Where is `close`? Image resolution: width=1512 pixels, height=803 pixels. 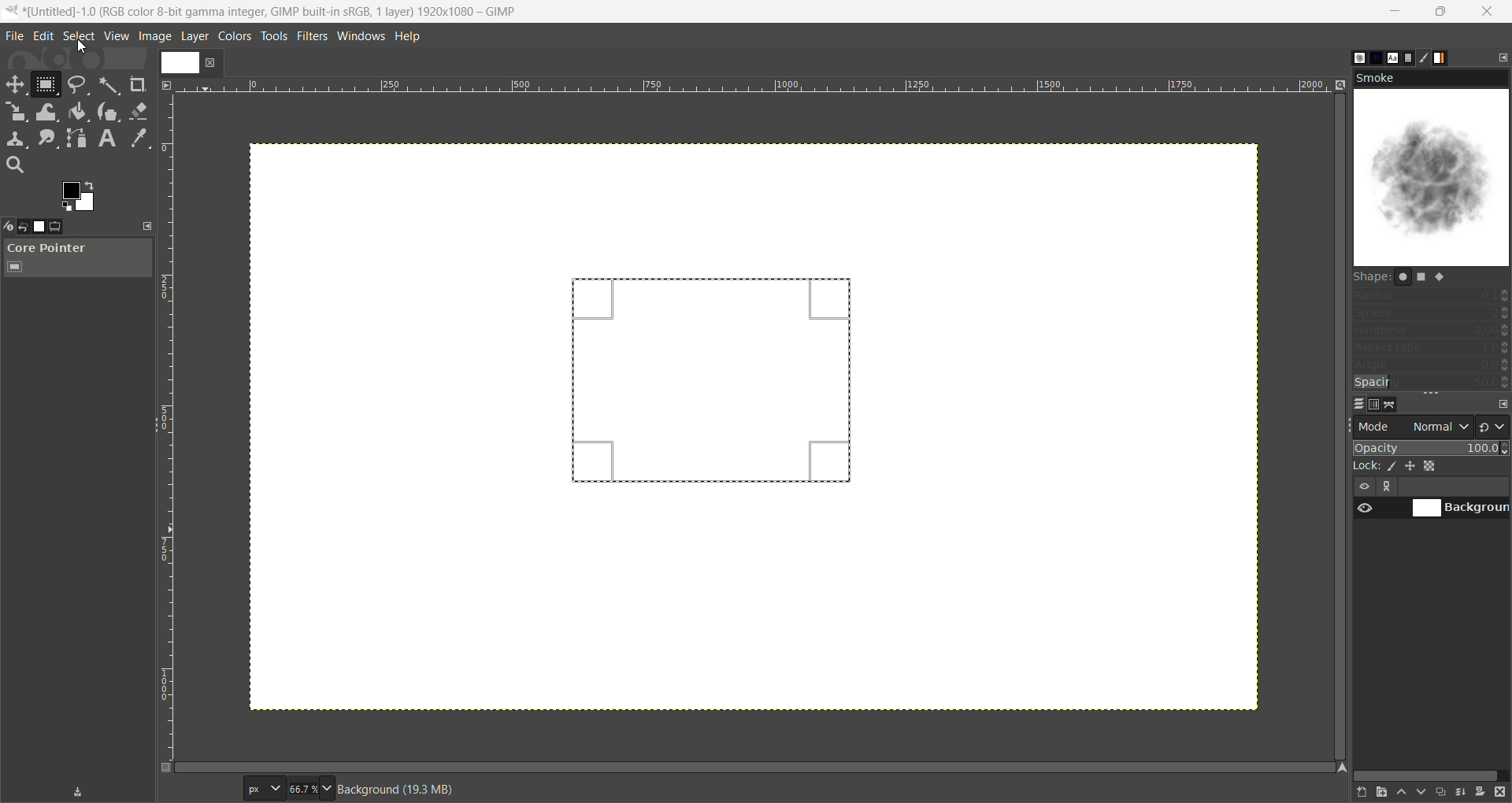 close is located at coordinates (1489, 12).